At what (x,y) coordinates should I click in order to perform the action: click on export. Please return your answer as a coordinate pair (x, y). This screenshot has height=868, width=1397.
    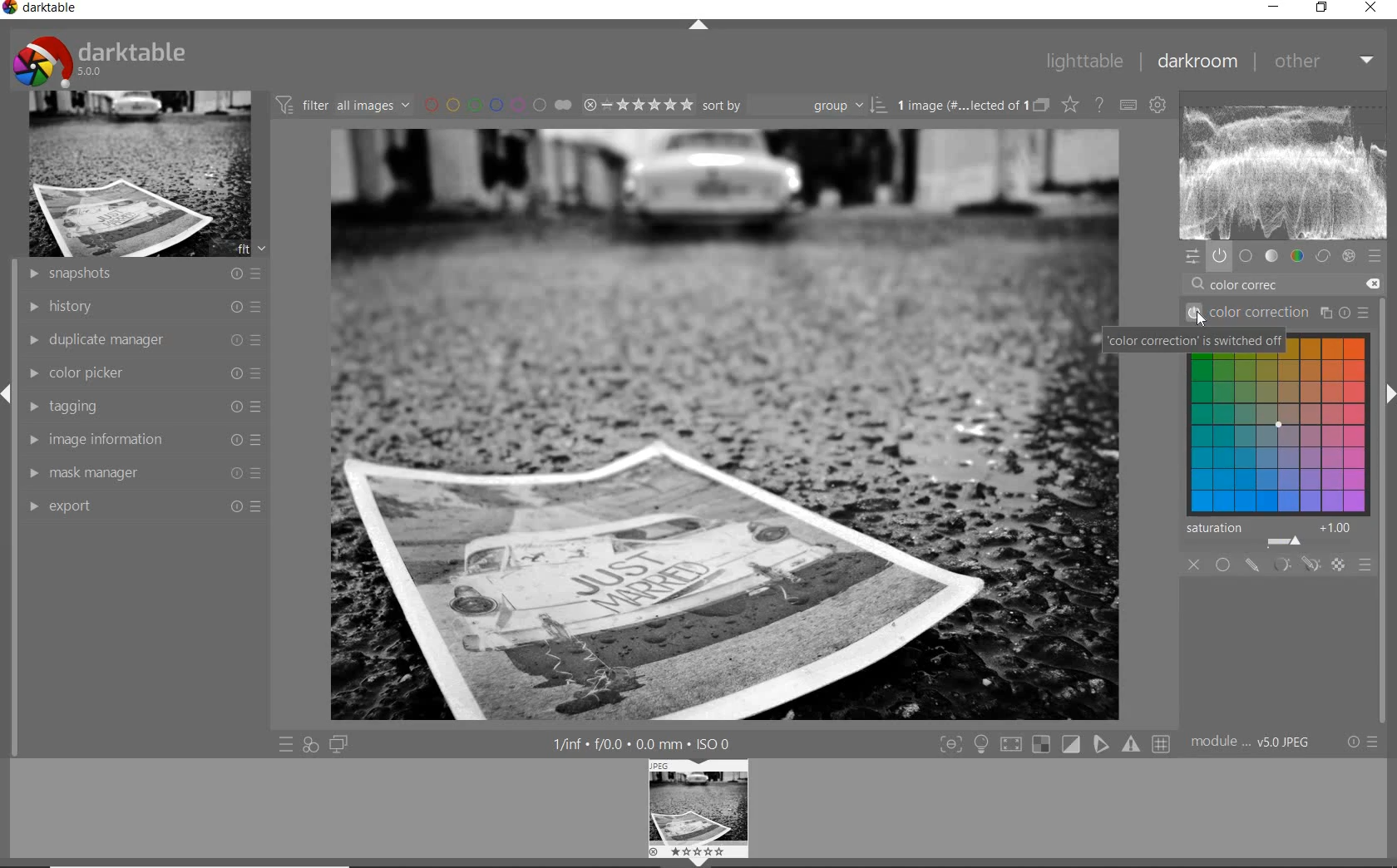
    Looking at the image, I should click on (143, 505).